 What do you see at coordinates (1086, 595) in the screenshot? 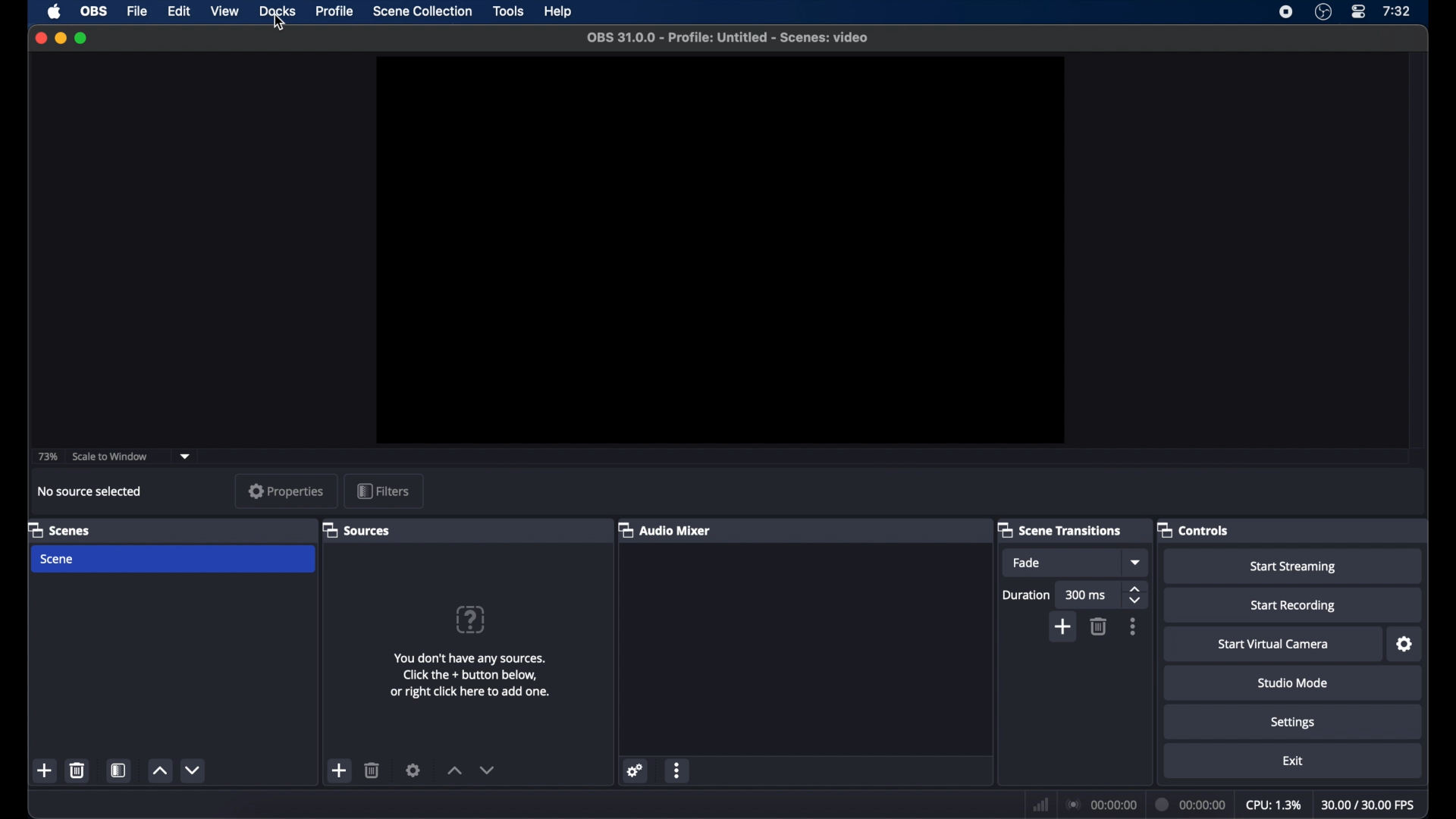
I see `300 ms` at bounding box center [1086, 595].